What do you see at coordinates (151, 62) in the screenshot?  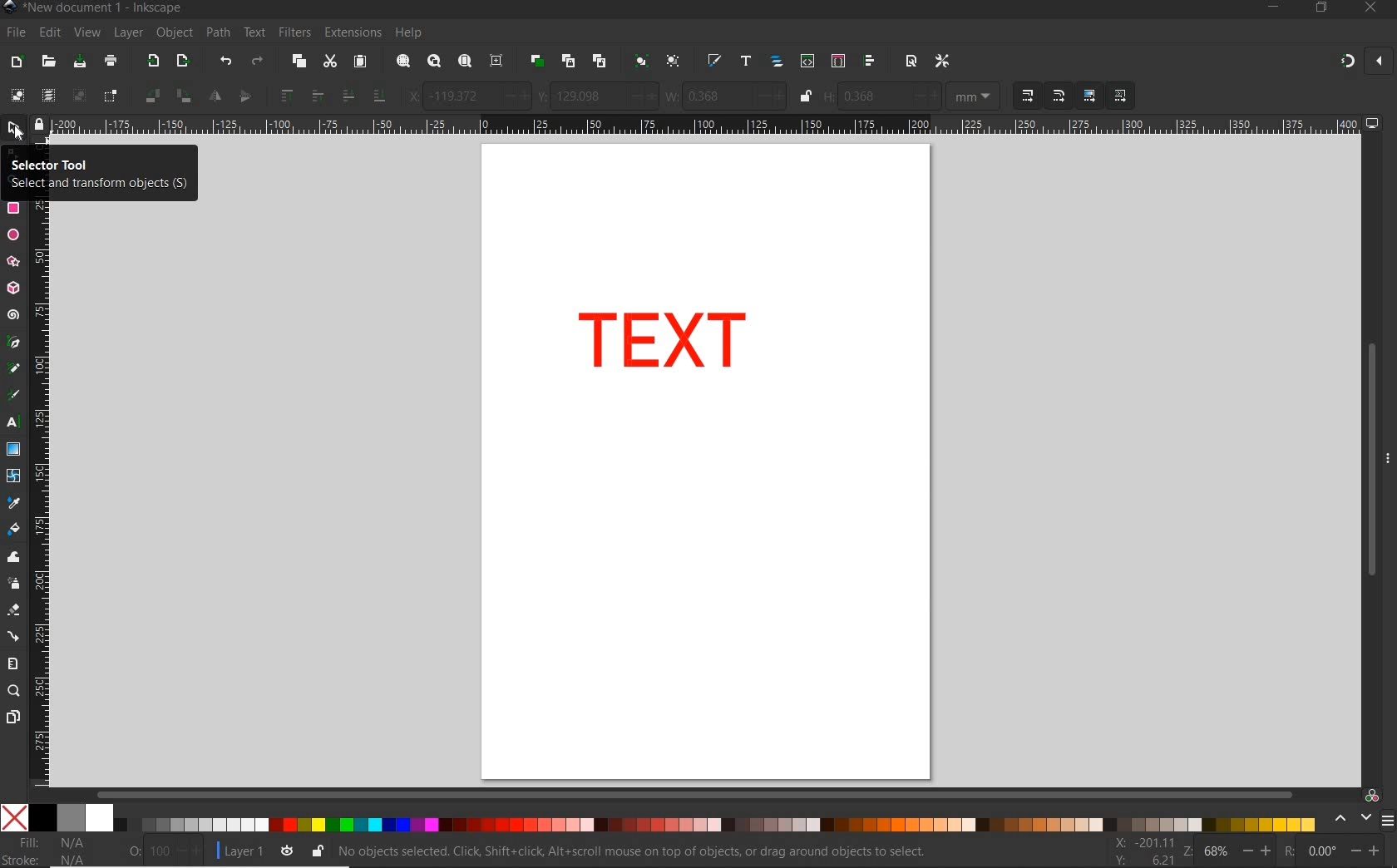 I see `IMPORT` at bounding box center [151, 62].